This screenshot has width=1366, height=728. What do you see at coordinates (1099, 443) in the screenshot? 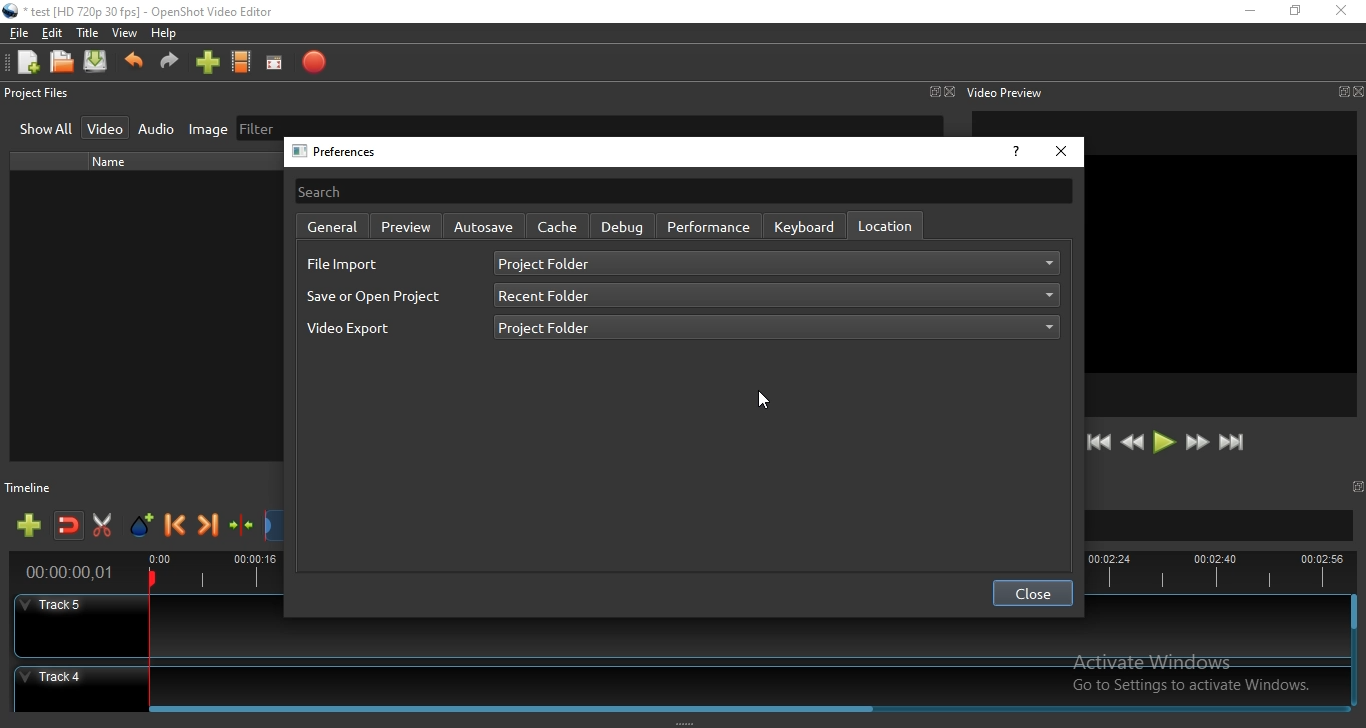
I see `Jump to start` at bounding box center [1099, 443].